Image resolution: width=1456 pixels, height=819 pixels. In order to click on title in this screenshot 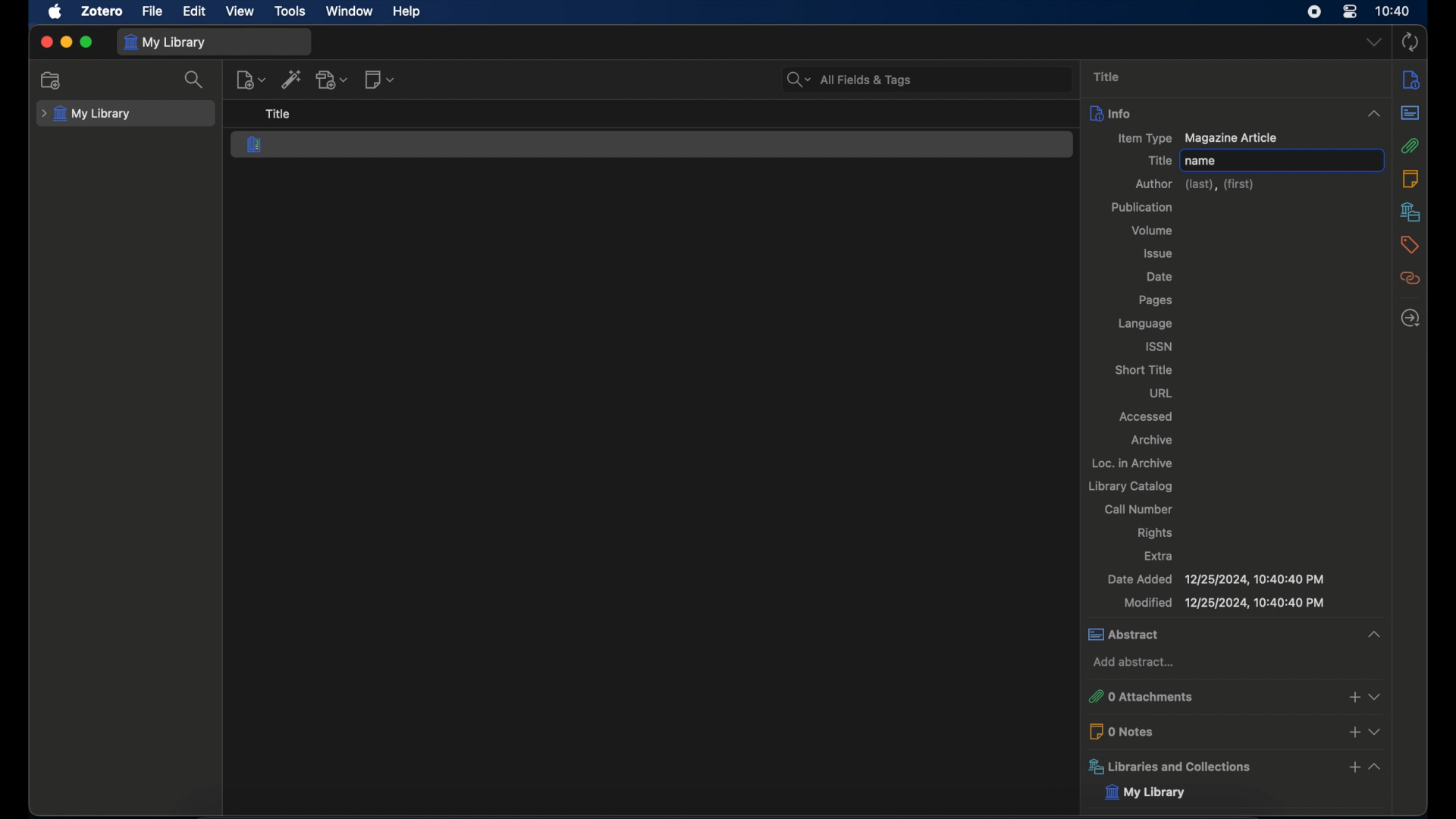, I will do `click(1159, 161)`.